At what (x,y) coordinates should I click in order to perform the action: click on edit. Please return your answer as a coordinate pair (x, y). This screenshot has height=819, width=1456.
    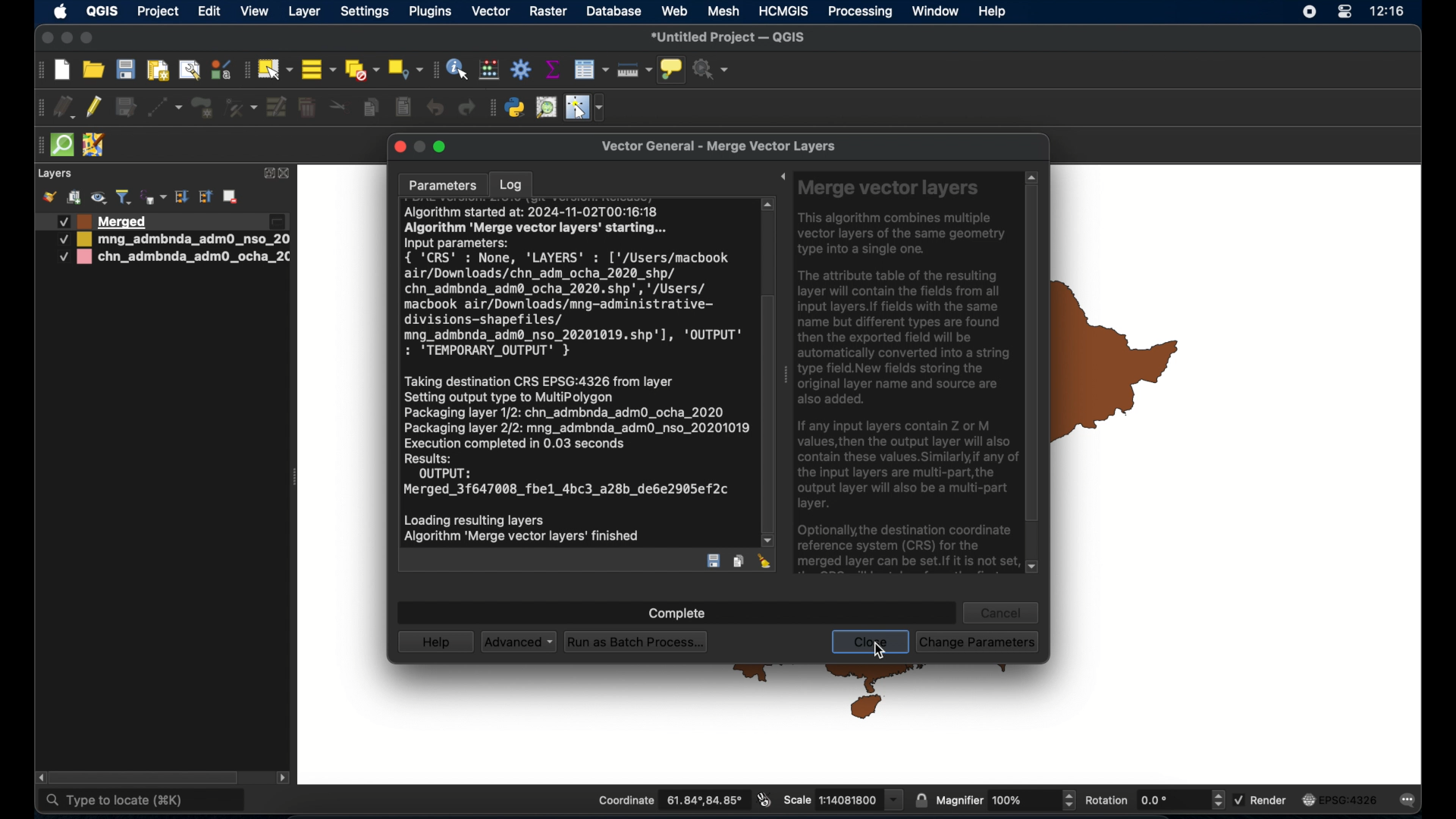
    Looking at the image, I should click on (209, 13).